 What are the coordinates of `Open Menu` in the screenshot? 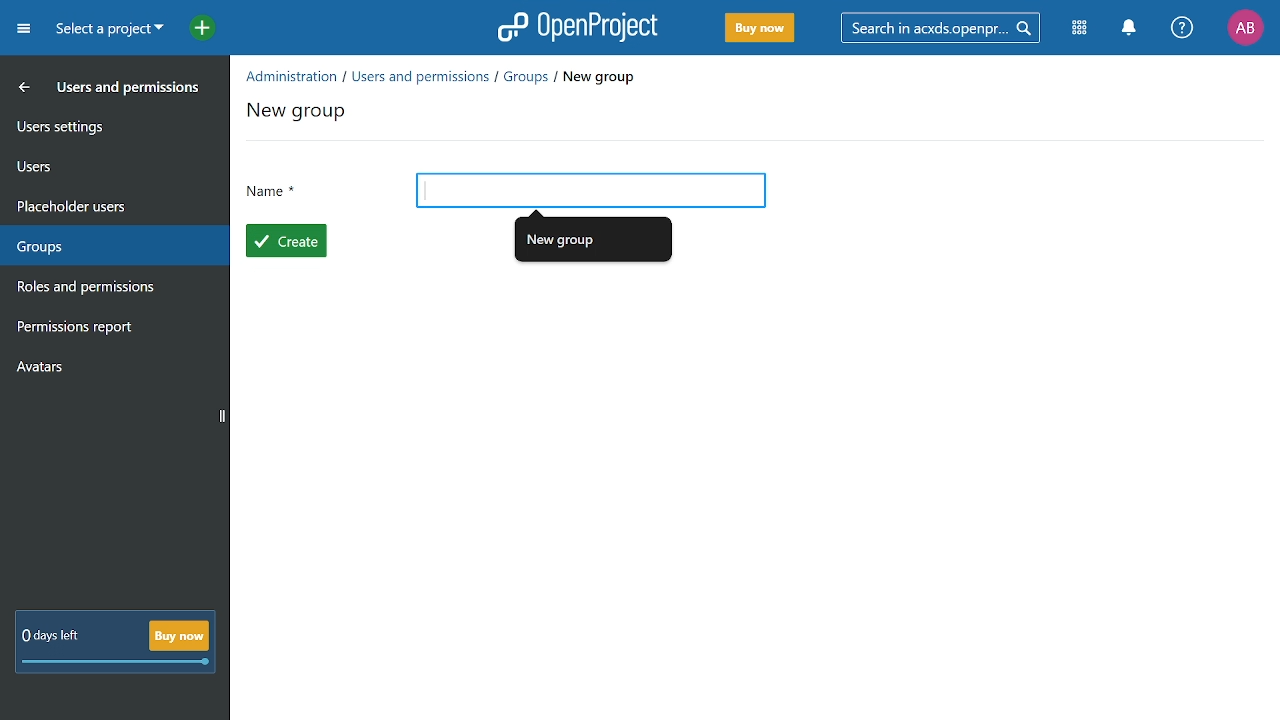 It's located at (27, 32).